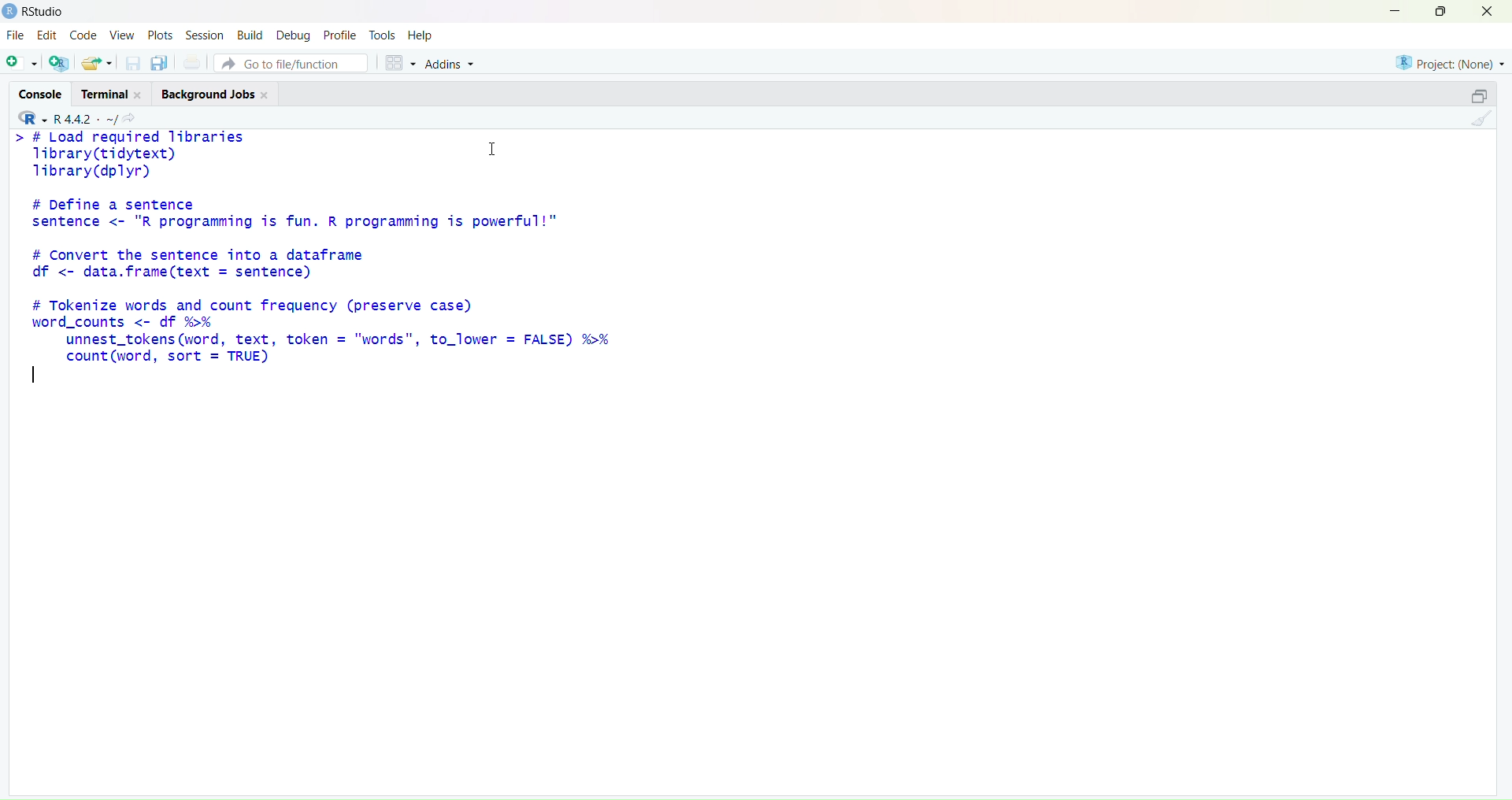 This screenshot has height=800, width=1512. Describe the element at coordinates (362, 247) in the screenshot. I see `> # Load required libraries
Tibrary(tidytext) I
Tibrary(dplyr)
# Define a sentence
sentence <- "R programming is fun. R programming is powerful!"
# Convert the sentence into a dataframe
df <- data.frame(text = sentence)
# Tokenize words and count frequency (preserve case)
word_counts <- df %>%
unnest_tokens (word, text, token = "words", to_lower = FALSE) %>%
count (word, sort = TRUE)` at that location.